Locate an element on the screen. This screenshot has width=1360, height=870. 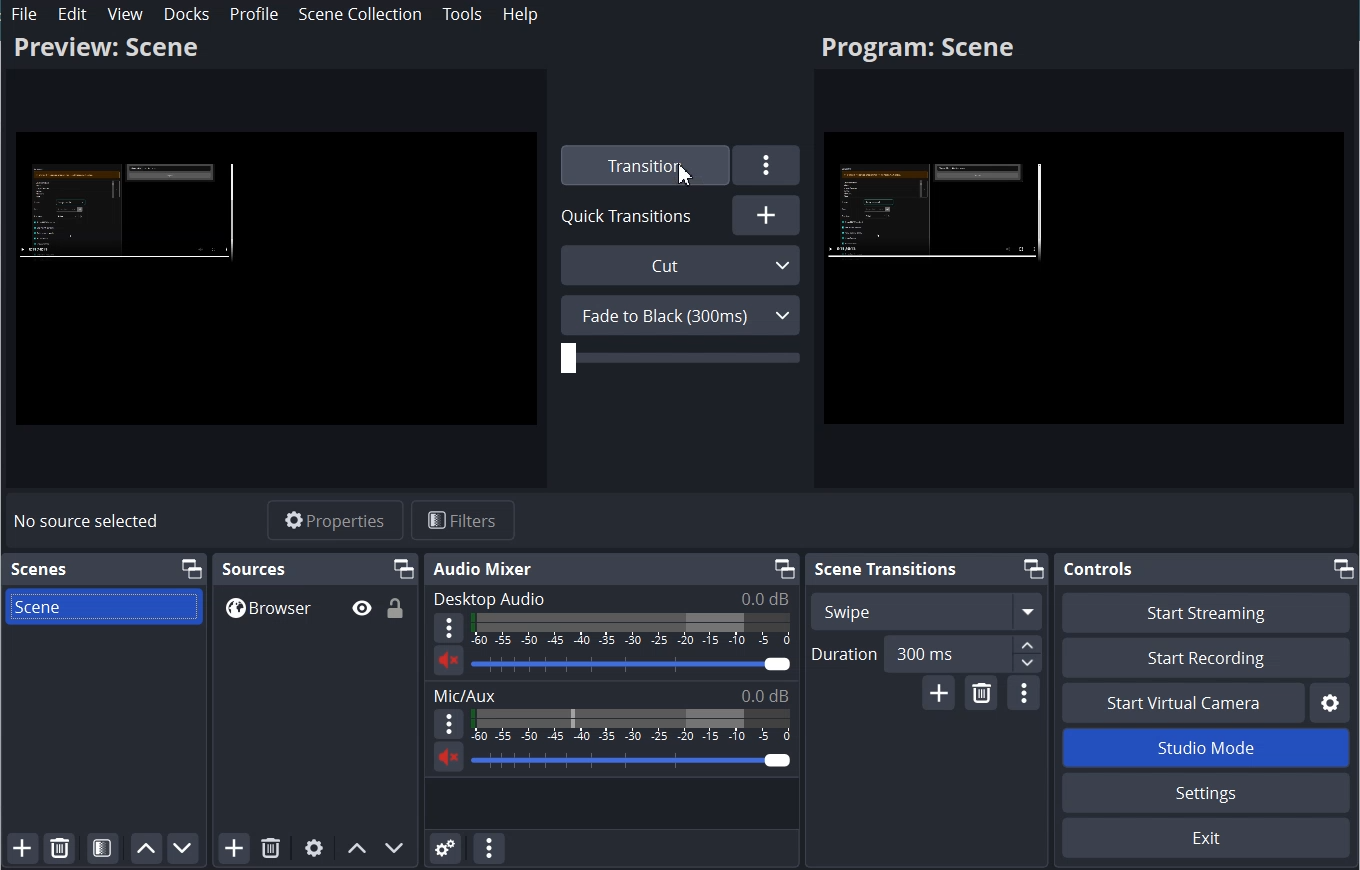
Lock is located at coordinates (396, 607).